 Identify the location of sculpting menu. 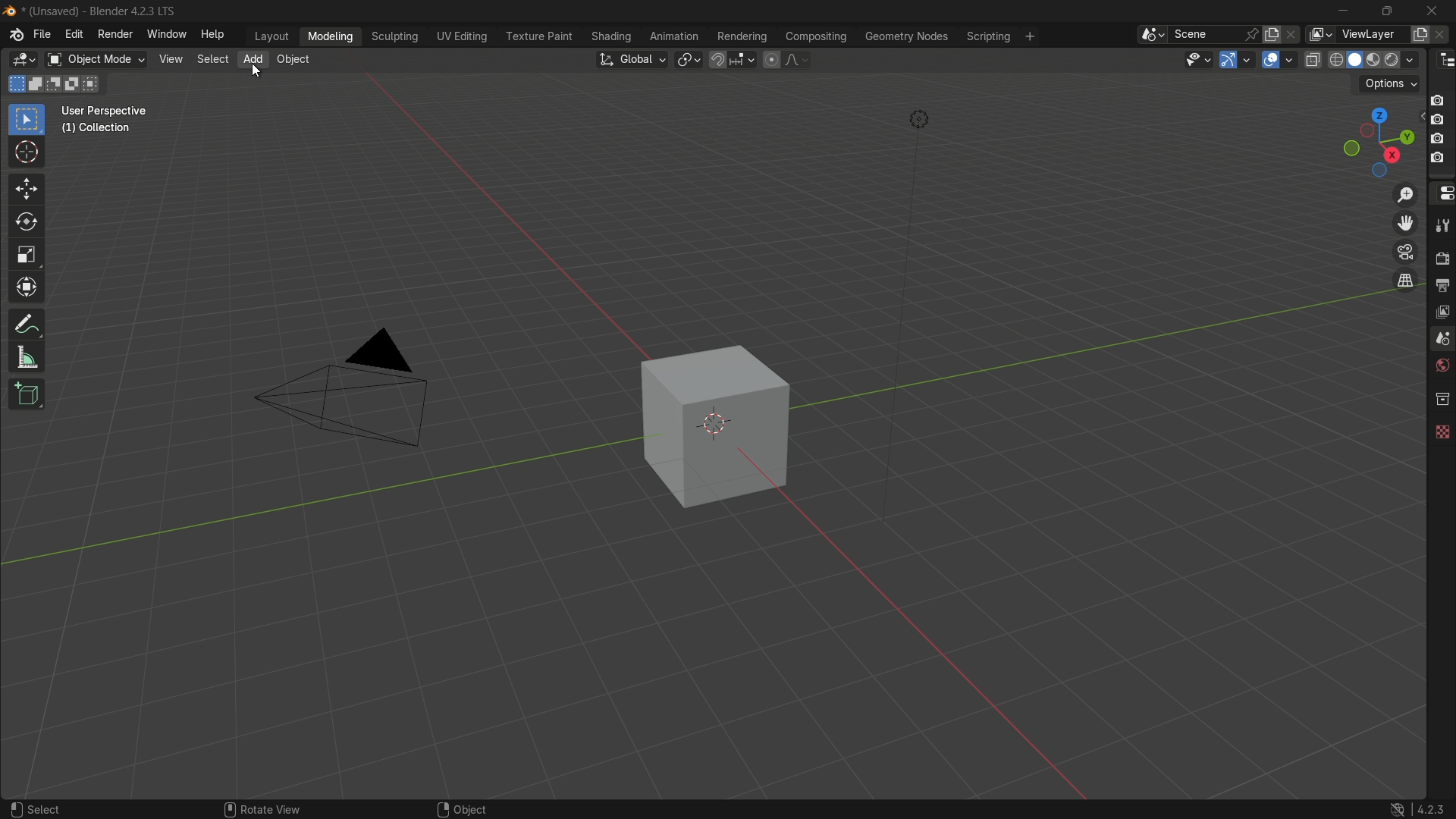
(395, 36).